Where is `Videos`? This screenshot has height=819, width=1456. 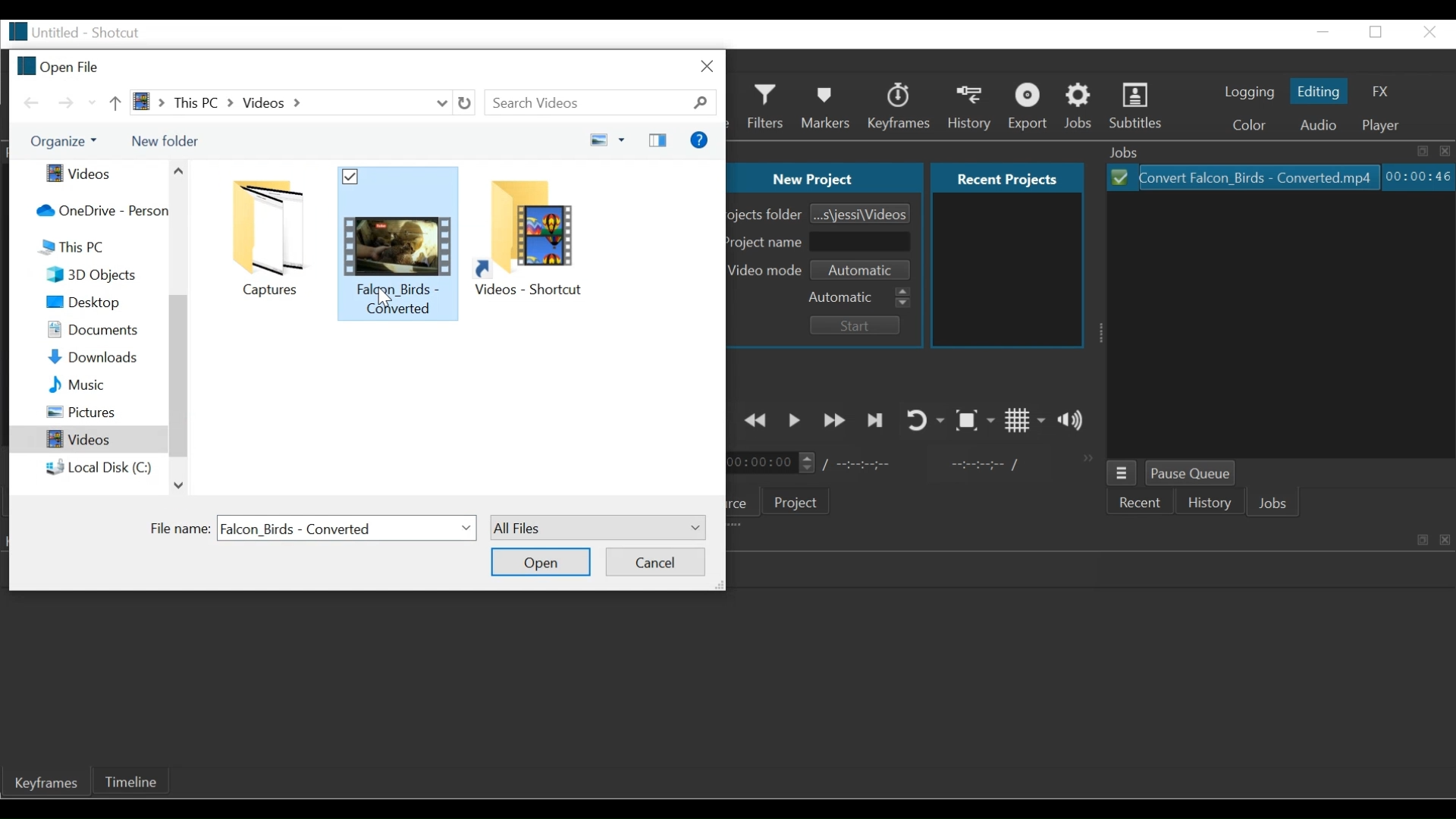
Videos is located at coordinates (89, 438).